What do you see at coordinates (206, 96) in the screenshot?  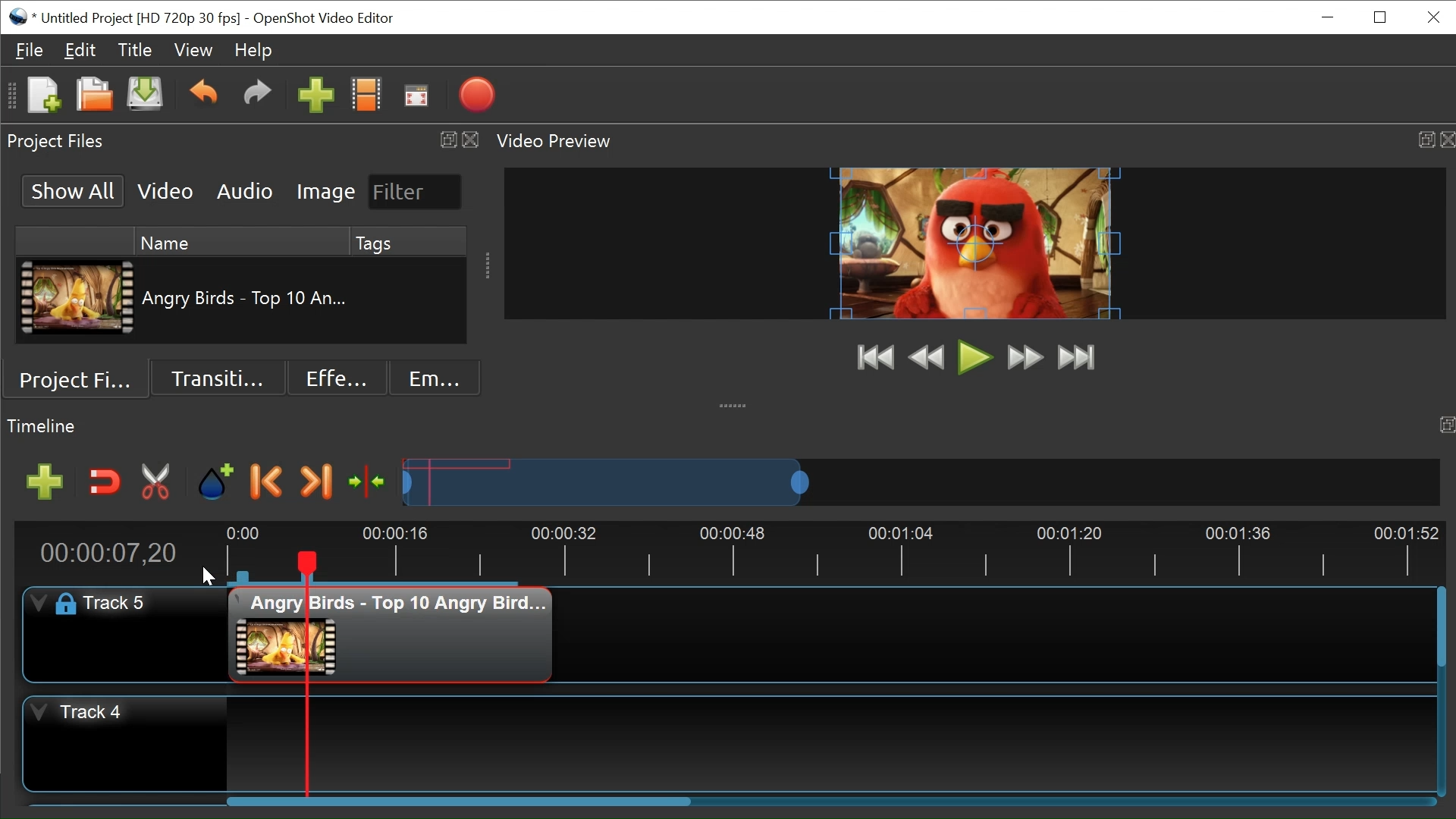 I see `undo` at bounding box center [206, 96].